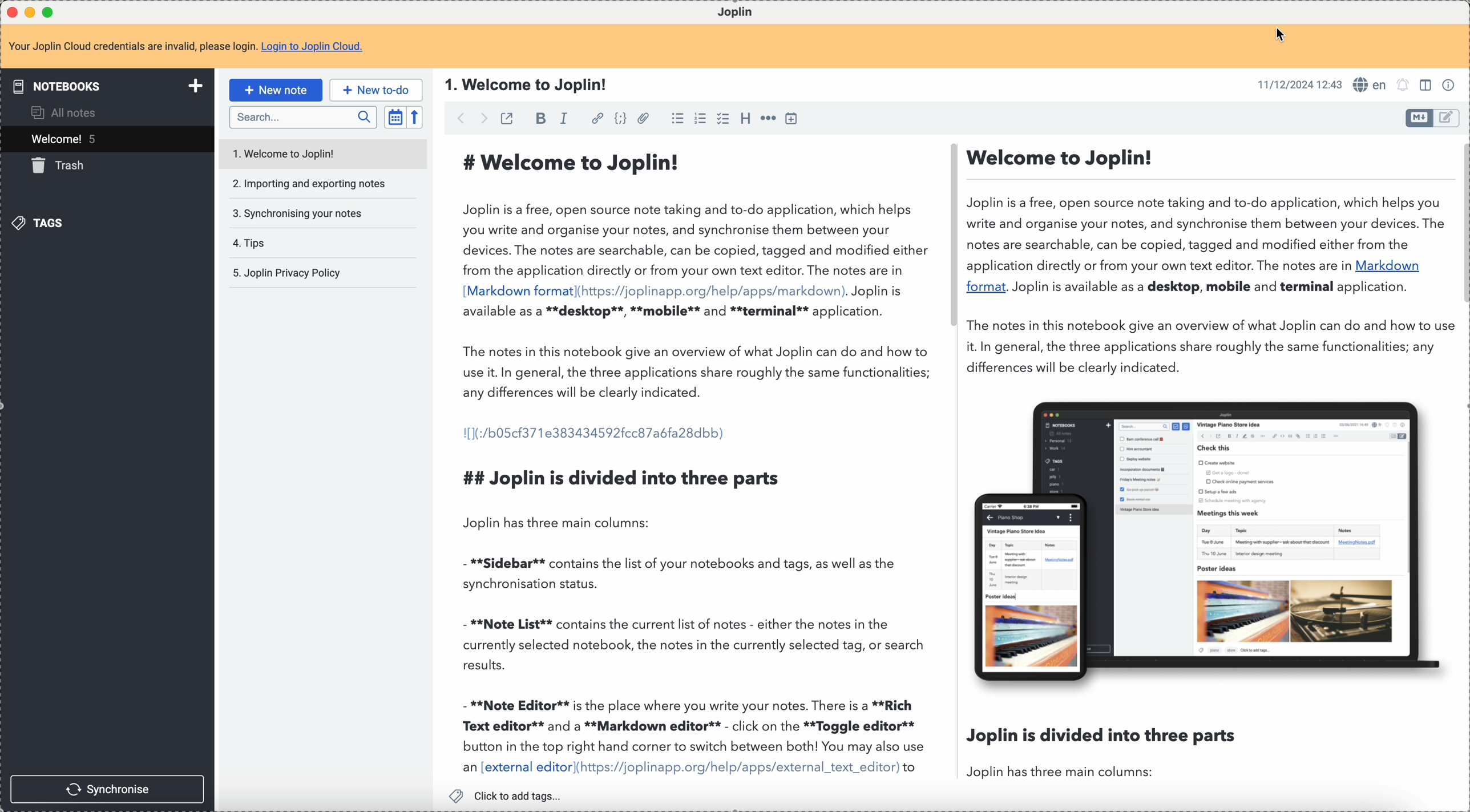 Image resolution: width=1470 pixels, height=812 pixels. Describe the element at coordinates (105, 139) in the screenshot. I see `welcome` at that location.